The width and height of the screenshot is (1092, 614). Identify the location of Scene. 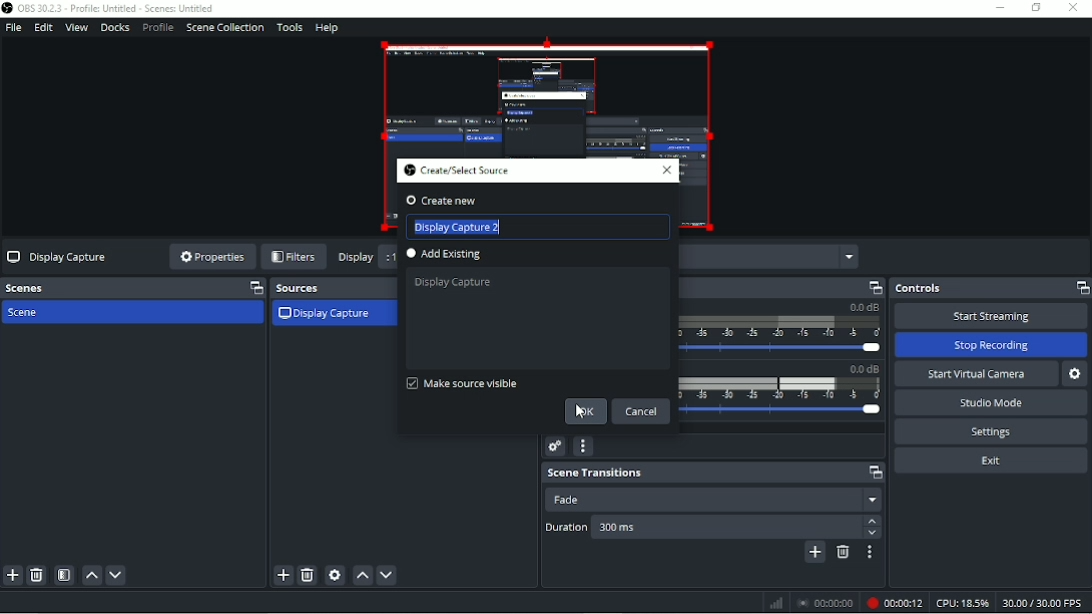
(29, 314).